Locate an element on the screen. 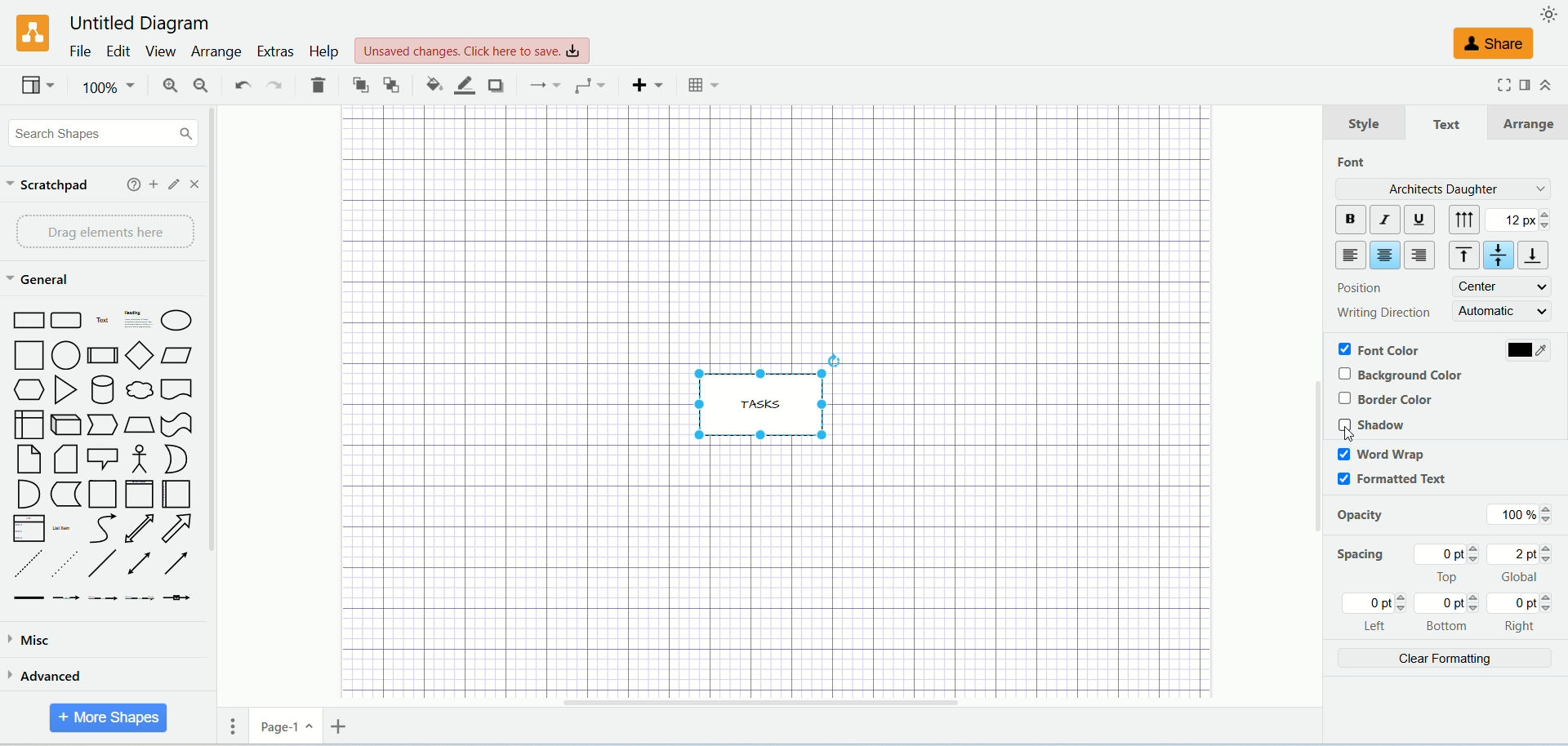  color is located at coordinates (1526, 350).